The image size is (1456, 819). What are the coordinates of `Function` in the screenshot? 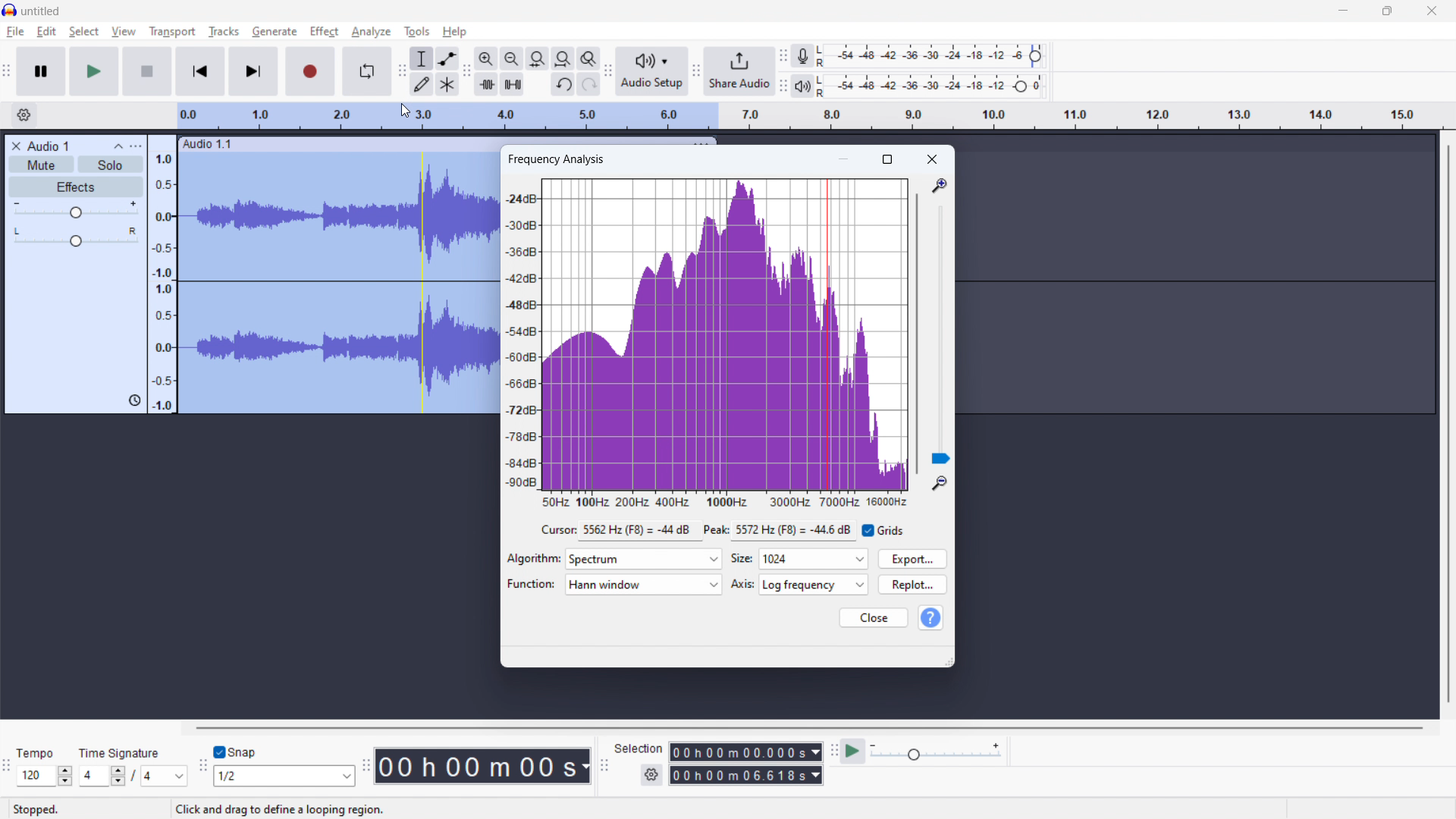 It's located at (530, 584).